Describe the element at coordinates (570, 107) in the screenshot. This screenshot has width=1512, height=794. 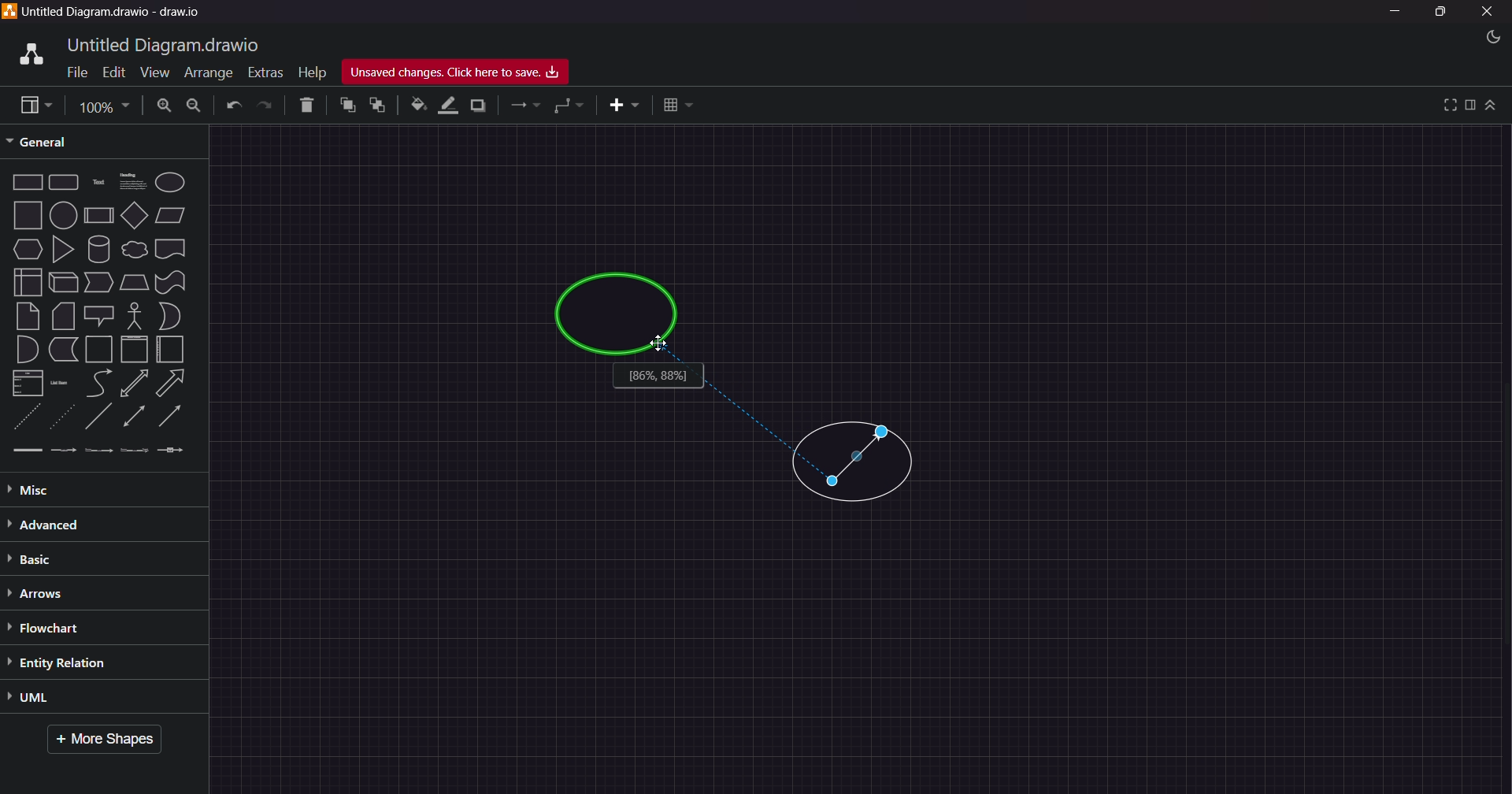
I see `waypoints` at that location.